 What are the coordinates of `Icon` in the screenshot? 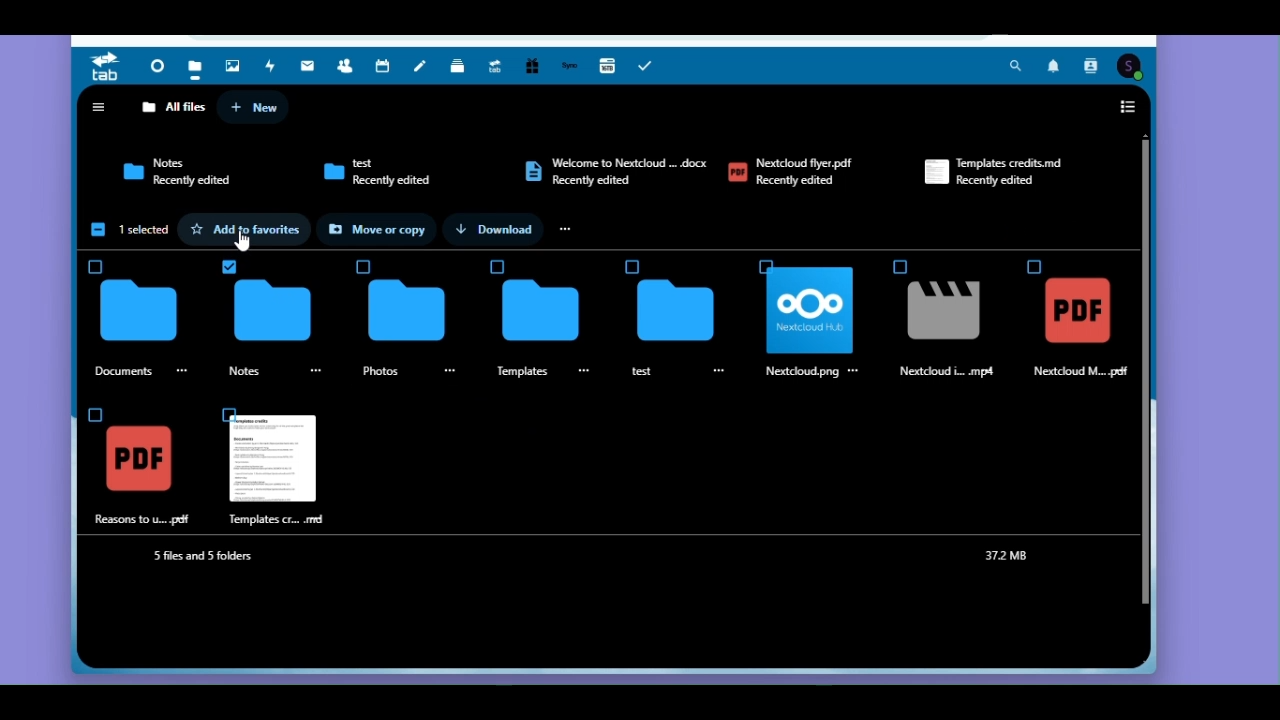 It's located at (329, 174).